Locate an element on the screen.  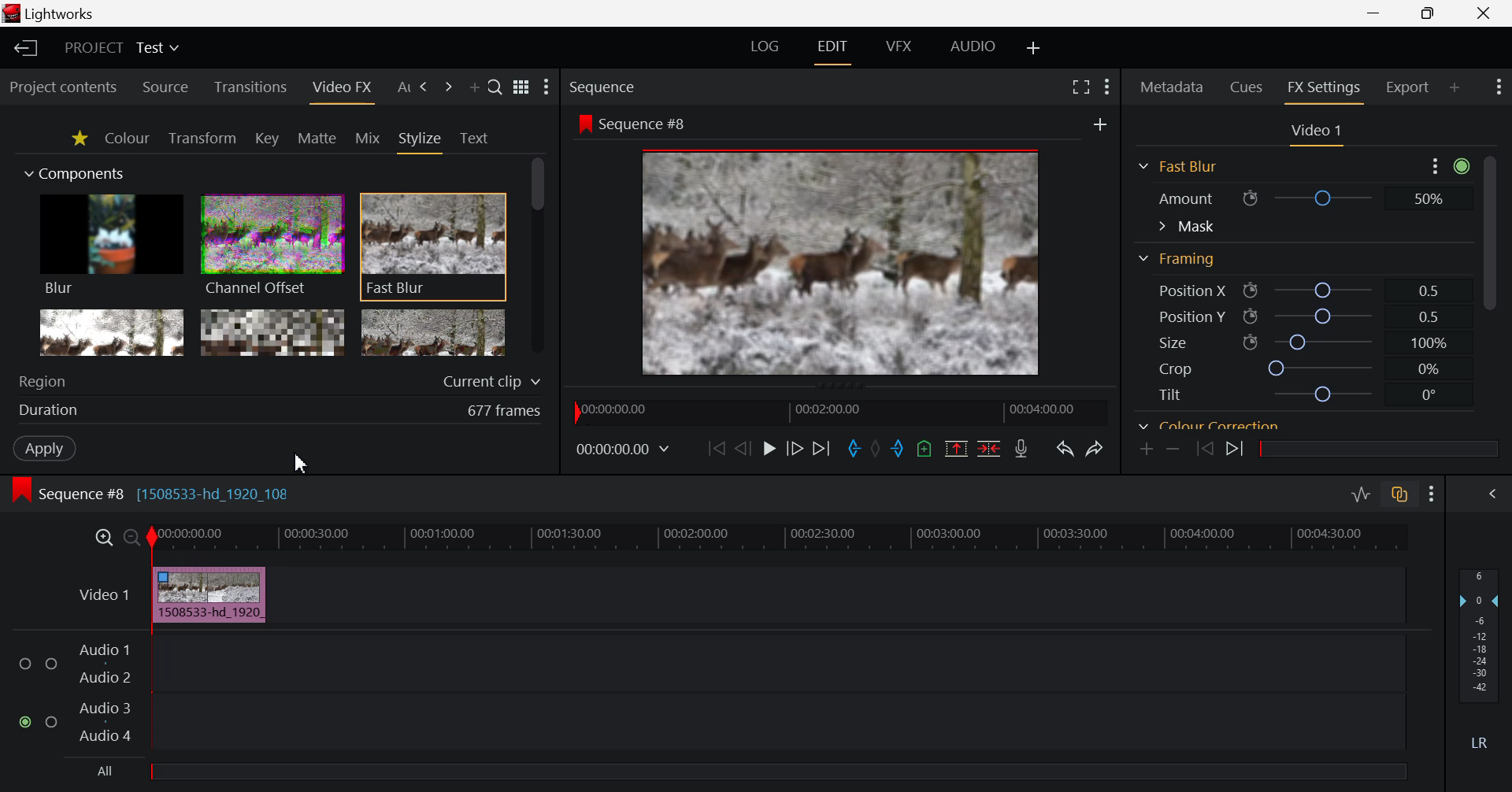
Export is located at coordinates (1409, 87).